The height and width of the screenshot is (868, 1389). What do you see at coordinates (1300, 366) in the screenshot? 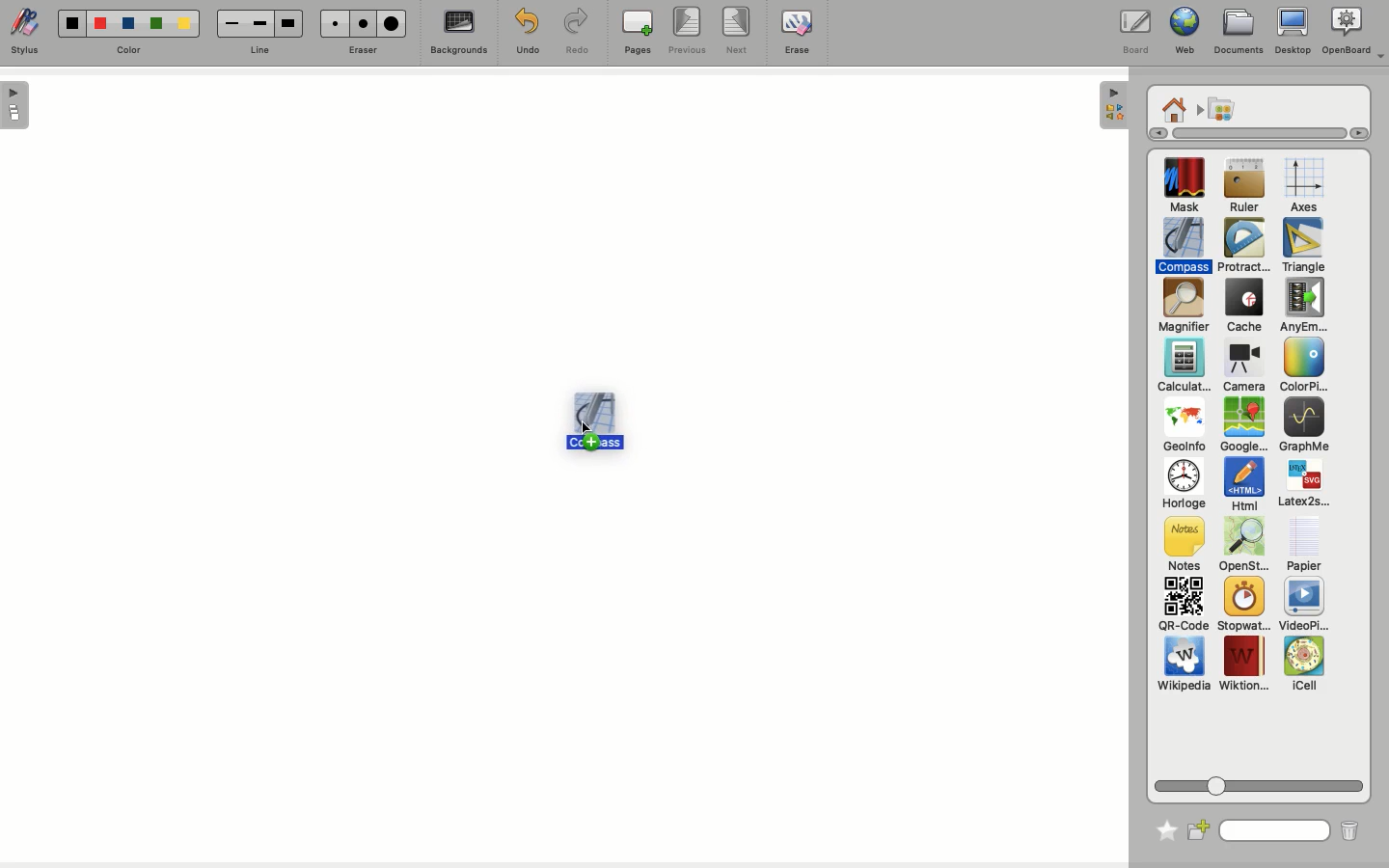
I see `Color` at bounding box center [1300, 366].